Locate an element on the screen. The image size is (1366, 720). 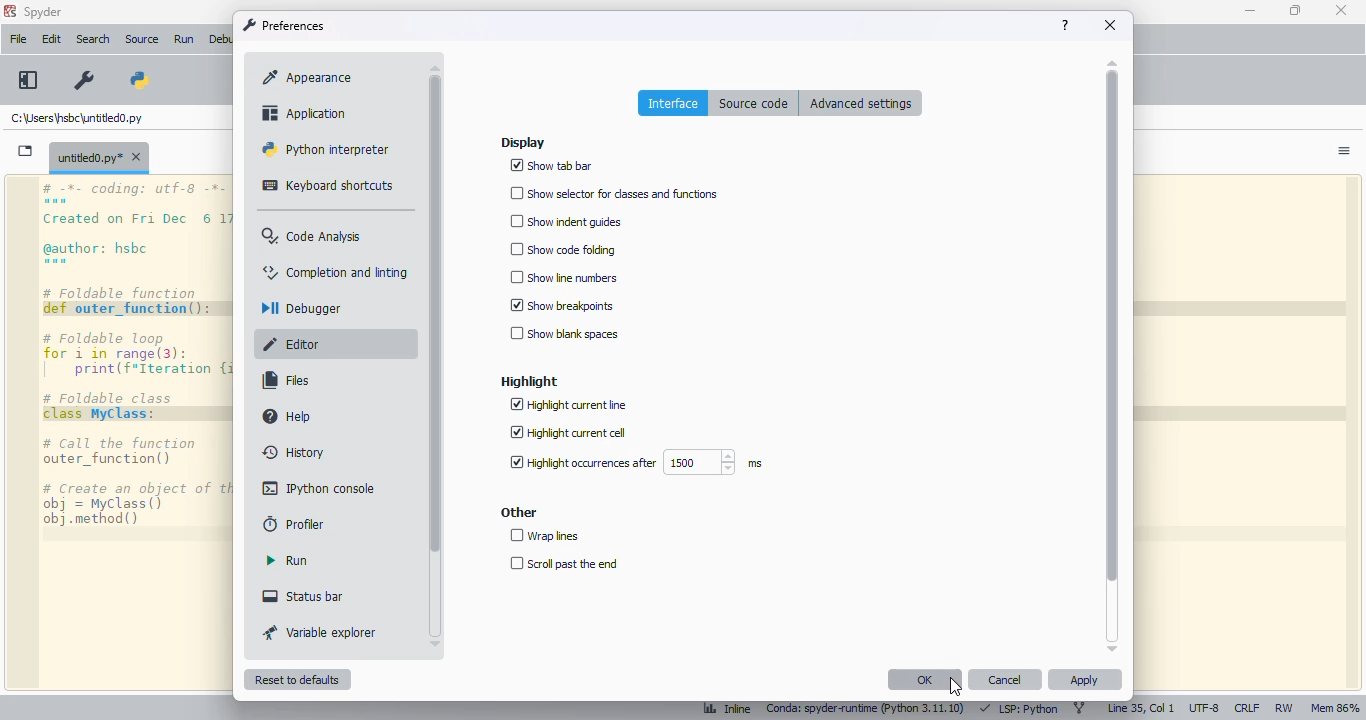
inline is located at coordinates (727, 710).